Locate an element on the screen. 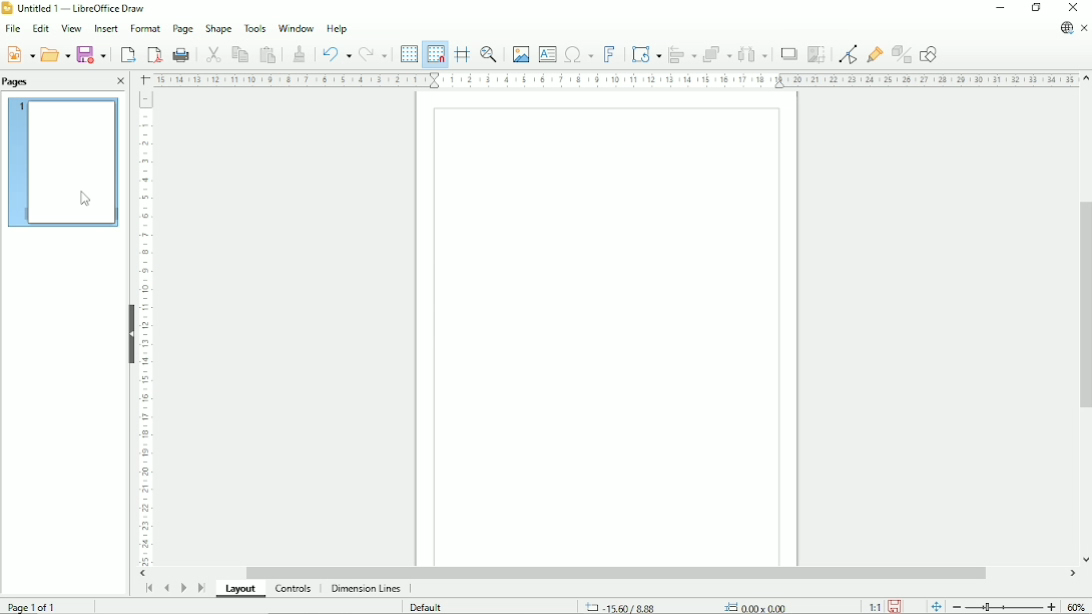 The image size is (1092, 614). Show gluepoint functions is located at coordinates (875, 54).